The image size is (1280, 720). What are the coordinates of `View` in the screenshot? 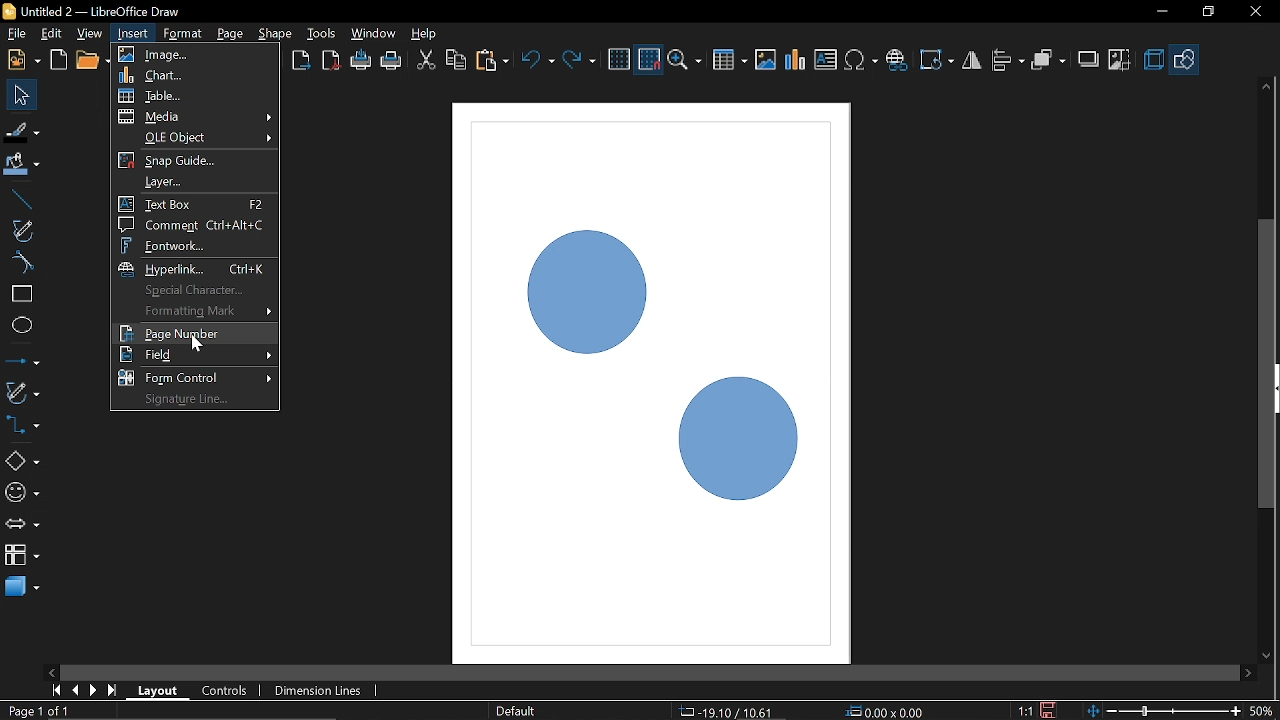 It's located at (92, 34).